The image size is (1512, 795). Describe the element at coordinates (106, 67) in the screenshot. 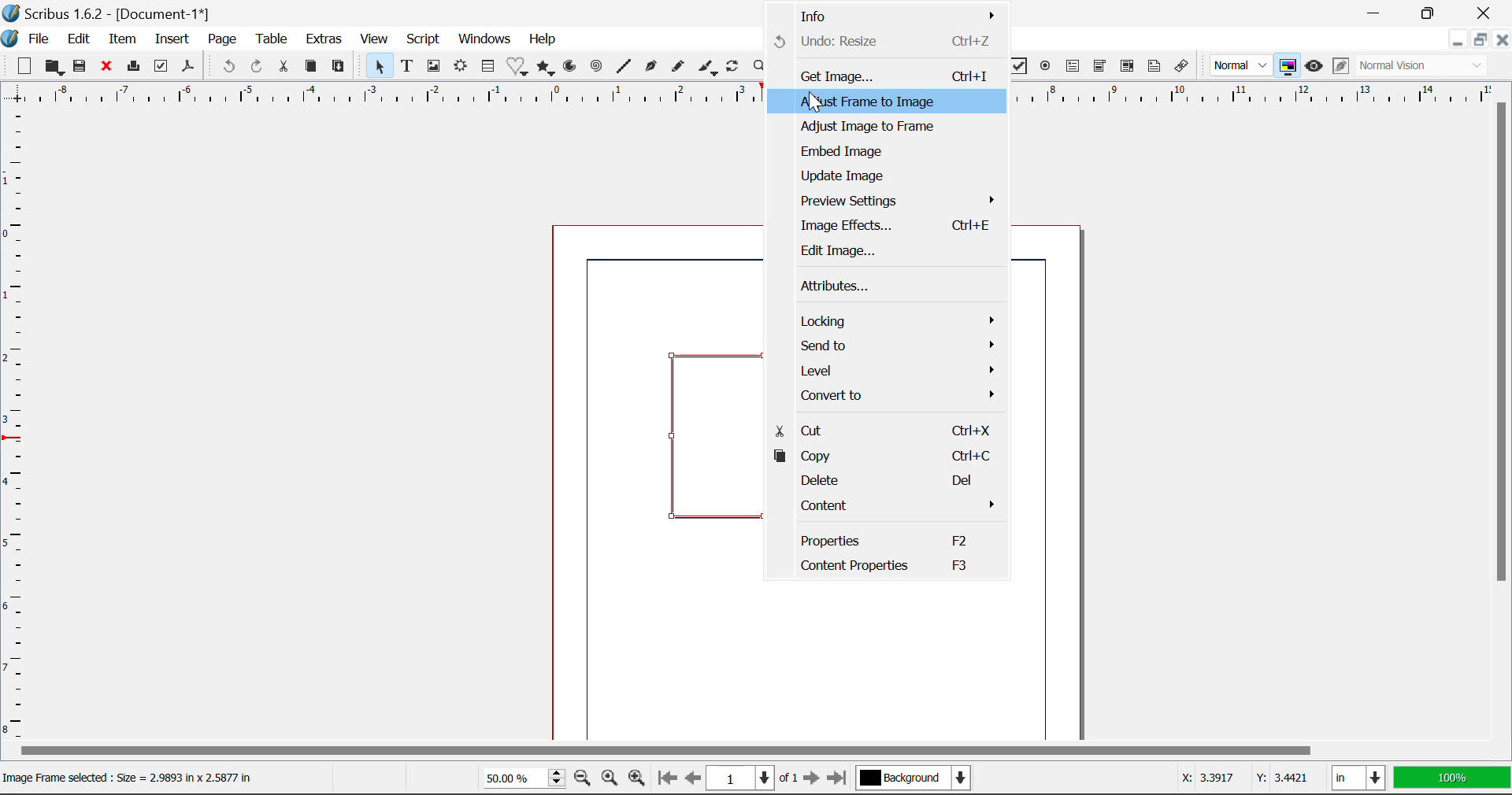

I see `Close` at that location.